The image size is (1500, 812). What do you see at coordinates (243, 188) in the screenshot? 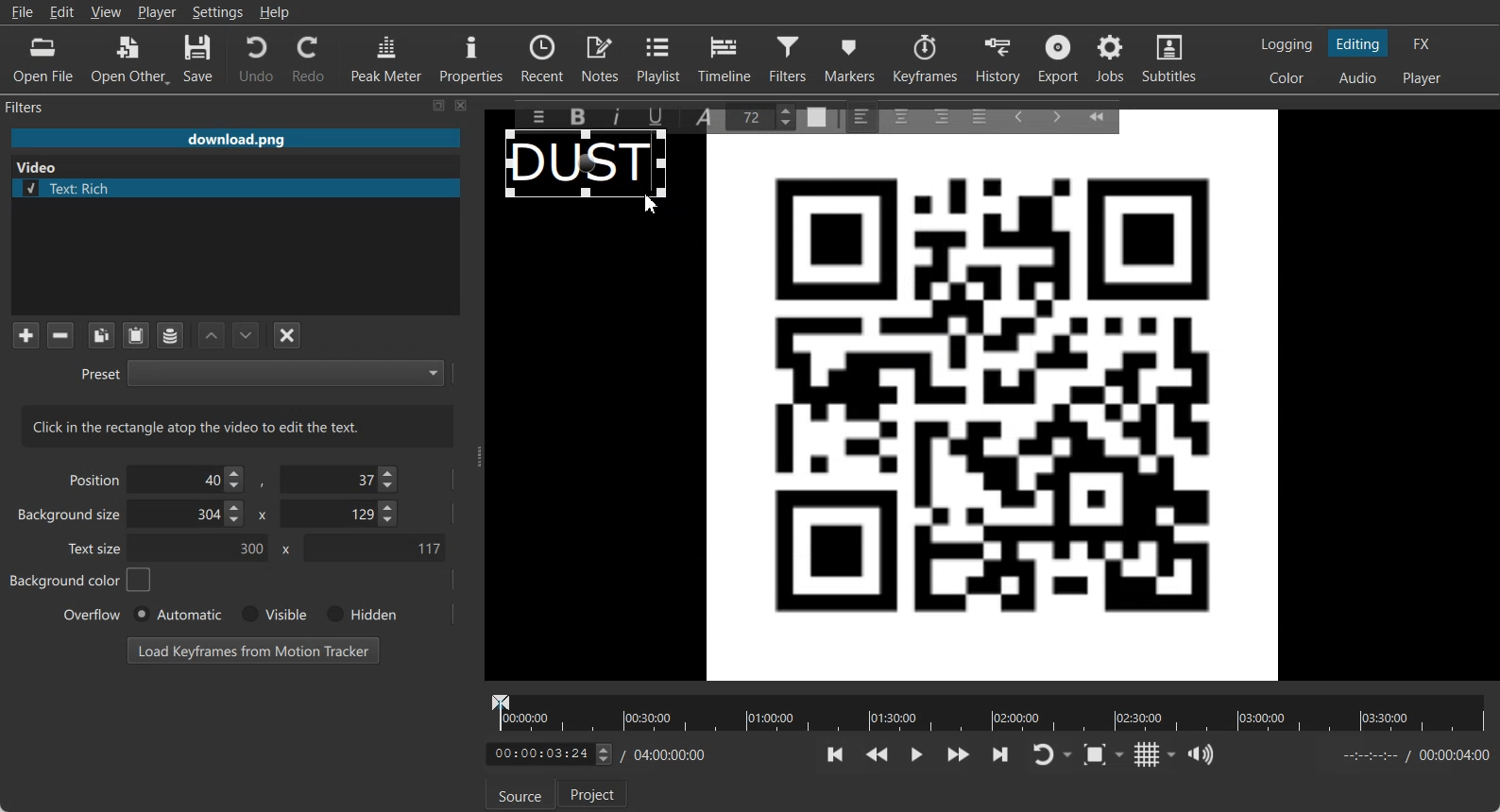
I see `Text rich file` at bounding box center [243, 188].